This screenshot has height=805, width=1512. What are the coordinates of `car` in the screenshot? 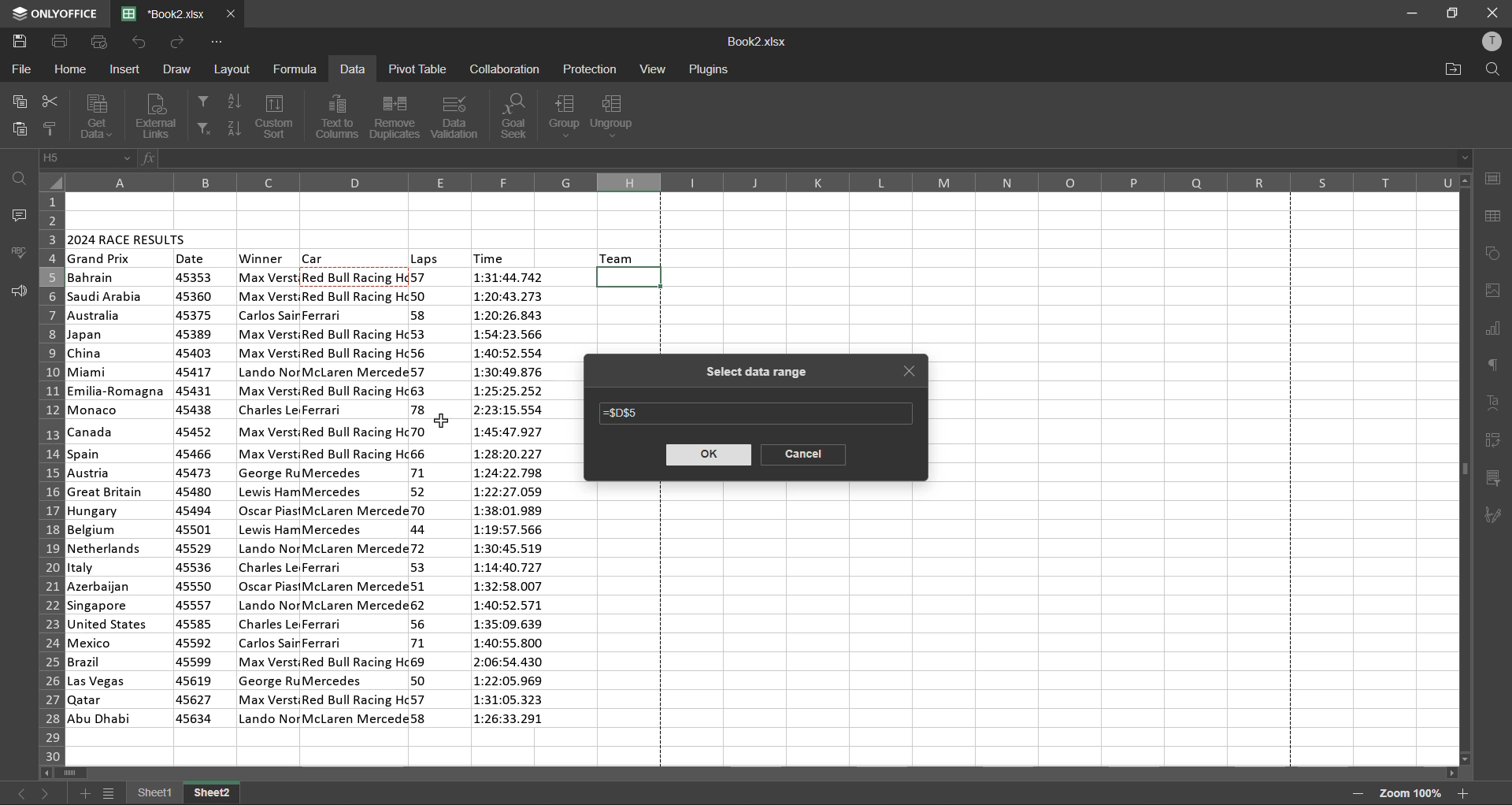 It's located at (315, 257).